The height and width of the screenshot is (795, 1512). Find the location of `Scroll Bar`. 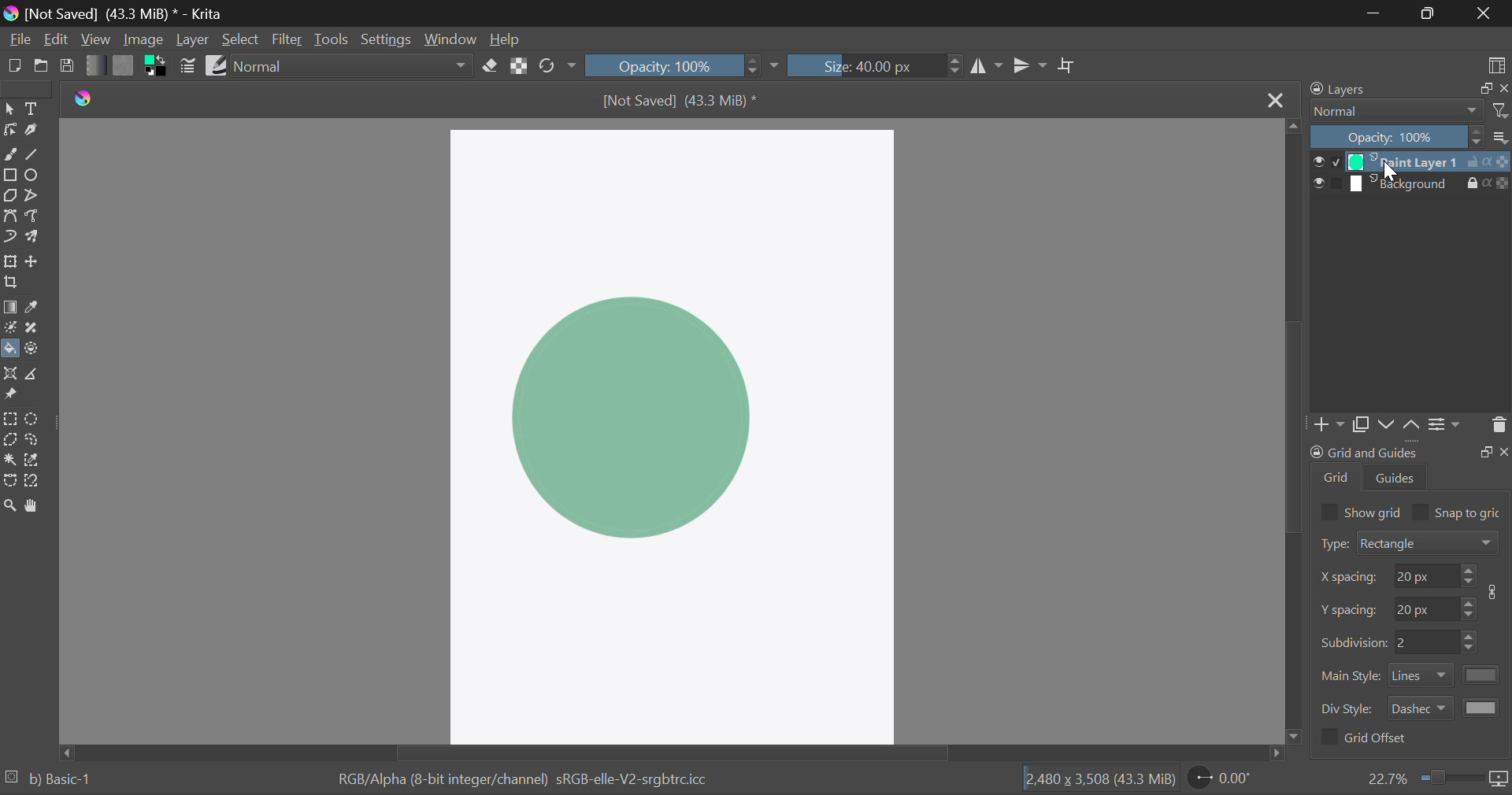

Scroll Bar is located at coordinates (674, 753).